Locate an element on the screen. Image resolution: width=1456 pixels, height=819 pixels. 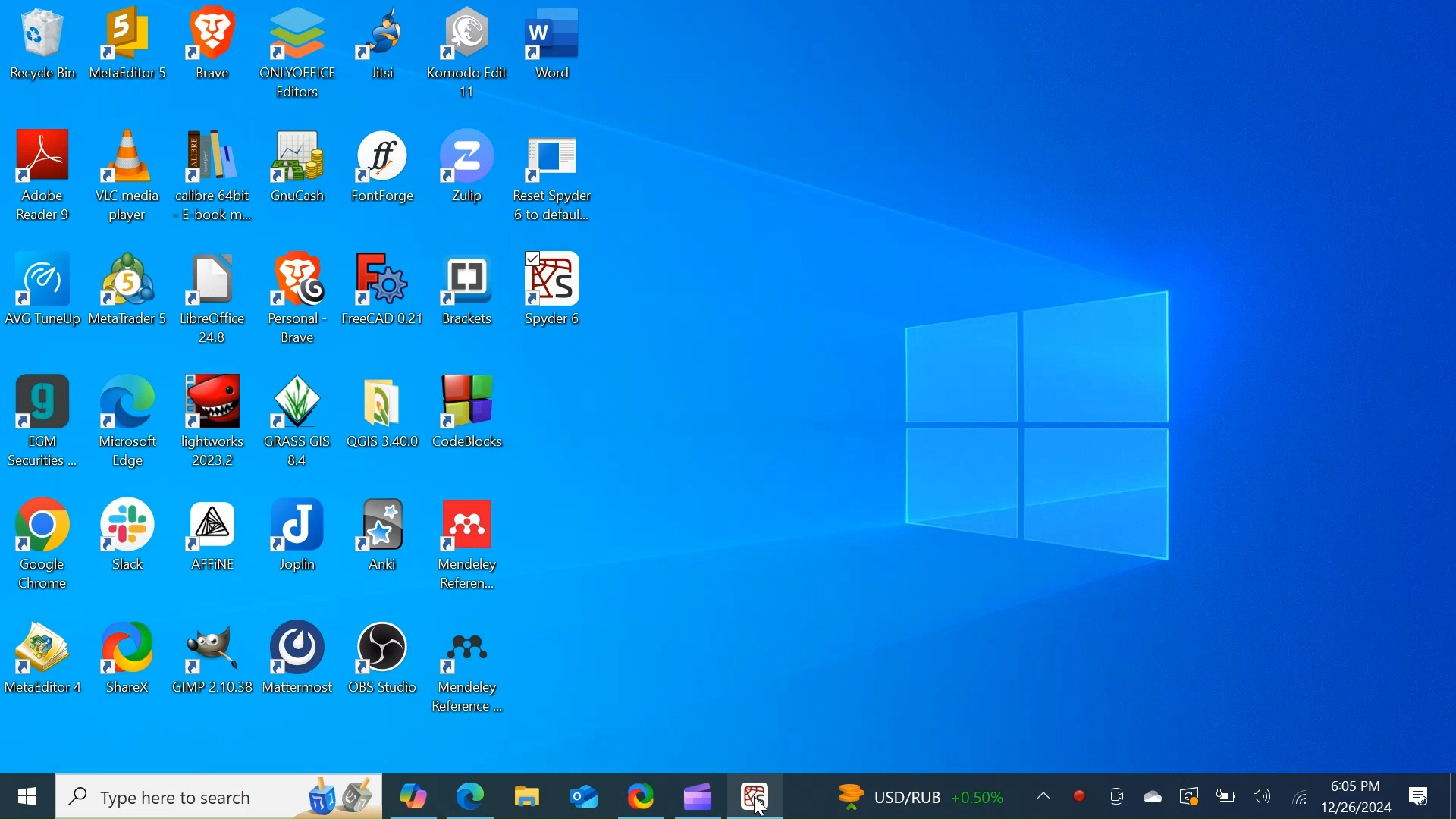
CodeBlocks Desktop Icon is located at coordinates (471, 425).